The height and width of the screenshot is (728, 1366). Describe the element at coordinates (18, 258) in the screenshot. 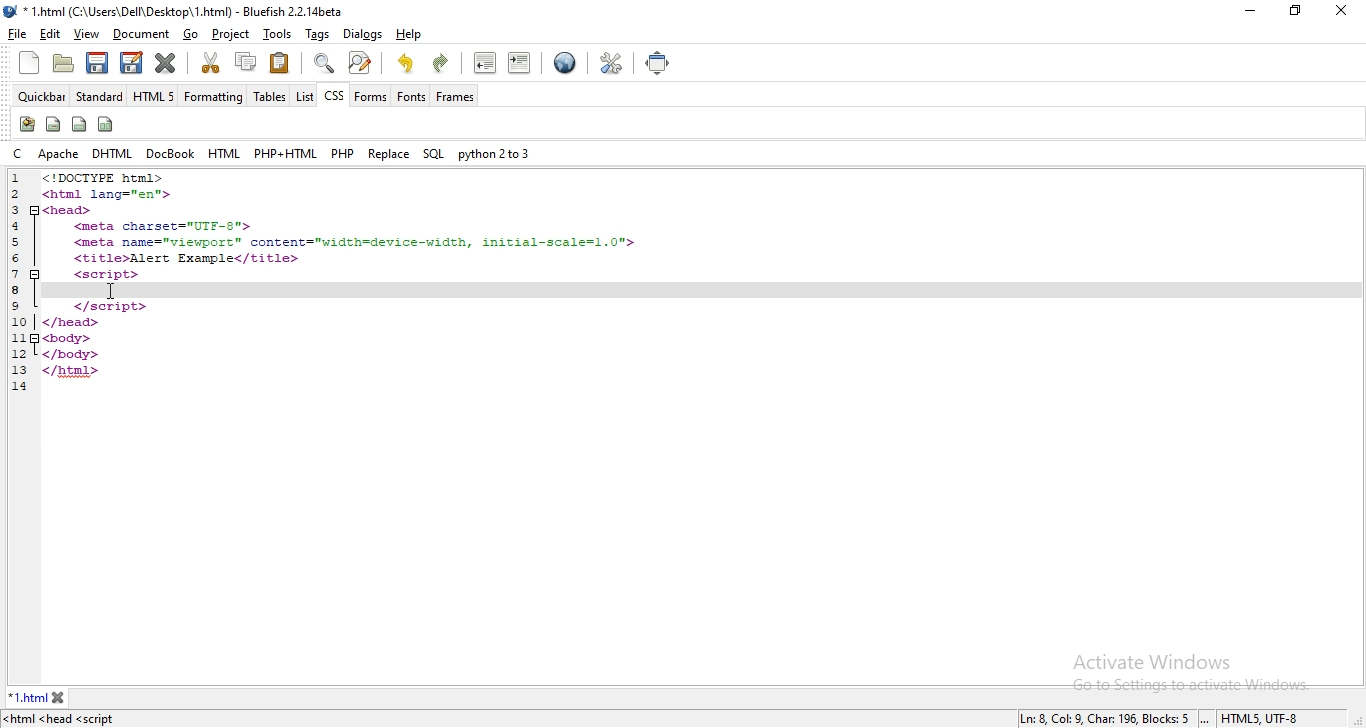

I see `6` at that location.